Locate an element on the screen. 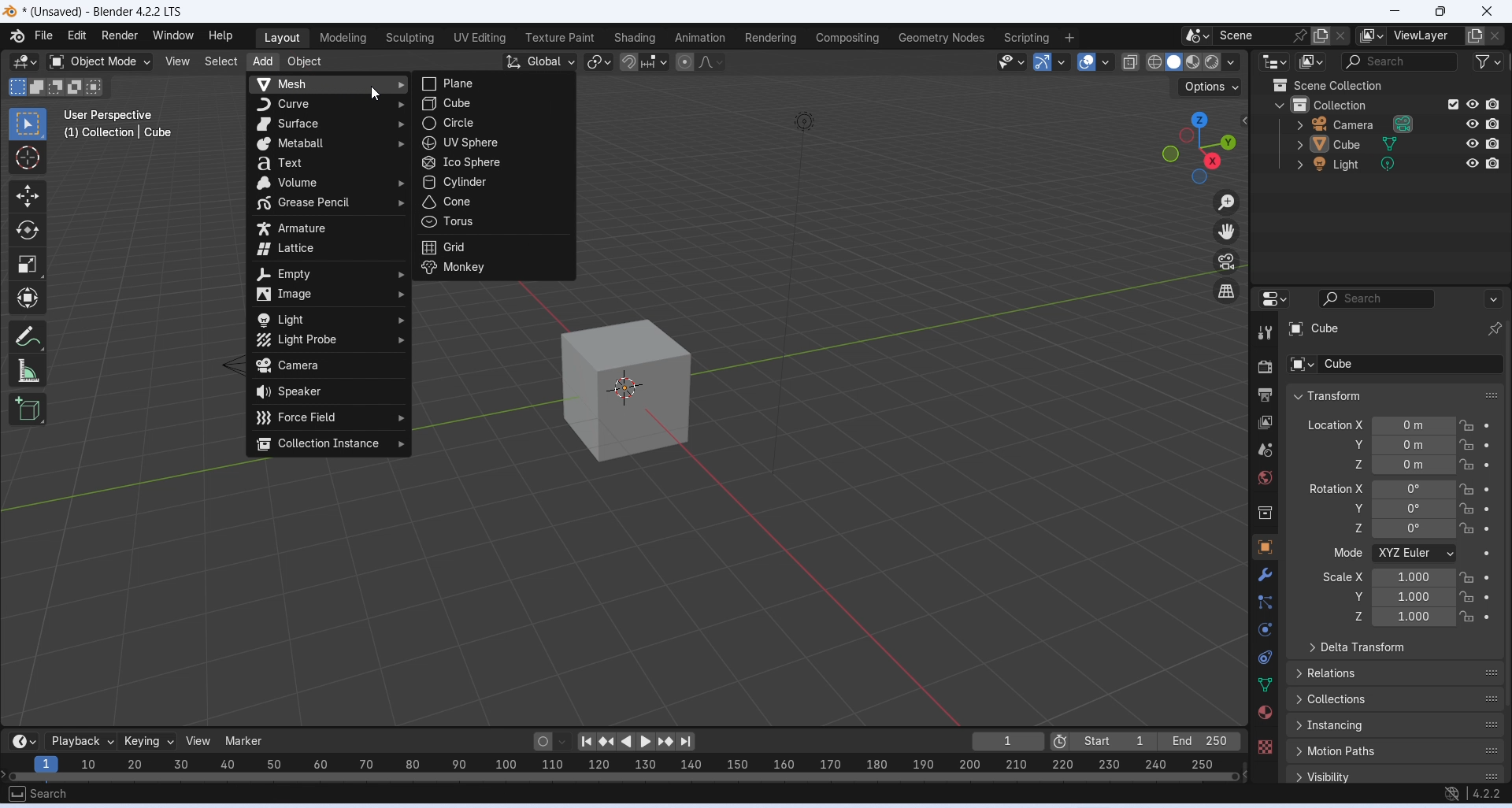  icon is located at coordinates (1279, 85).